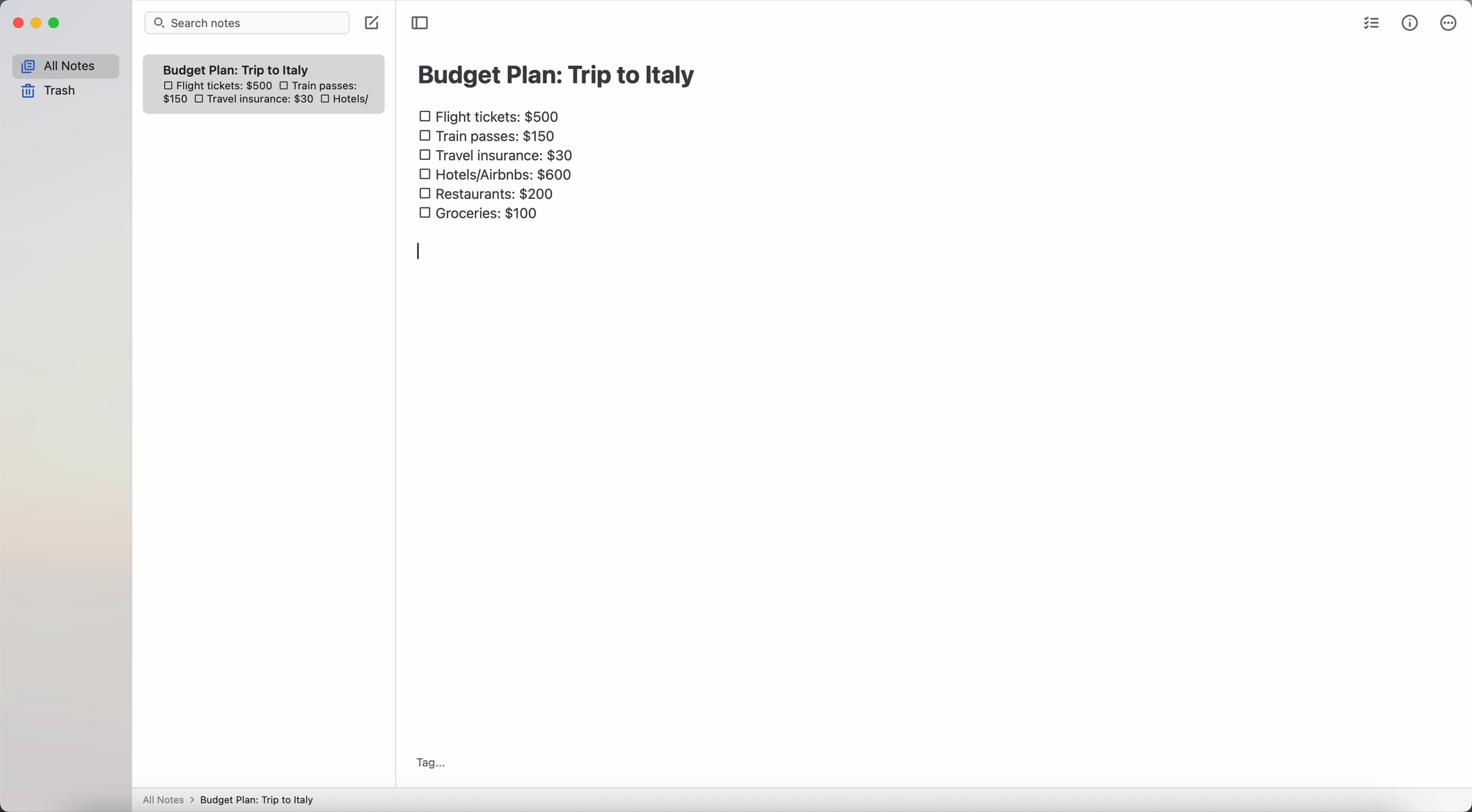 The width and height of the screenshot is (1472, 812). I want to click on toggle sidebar, so click(421, 22).